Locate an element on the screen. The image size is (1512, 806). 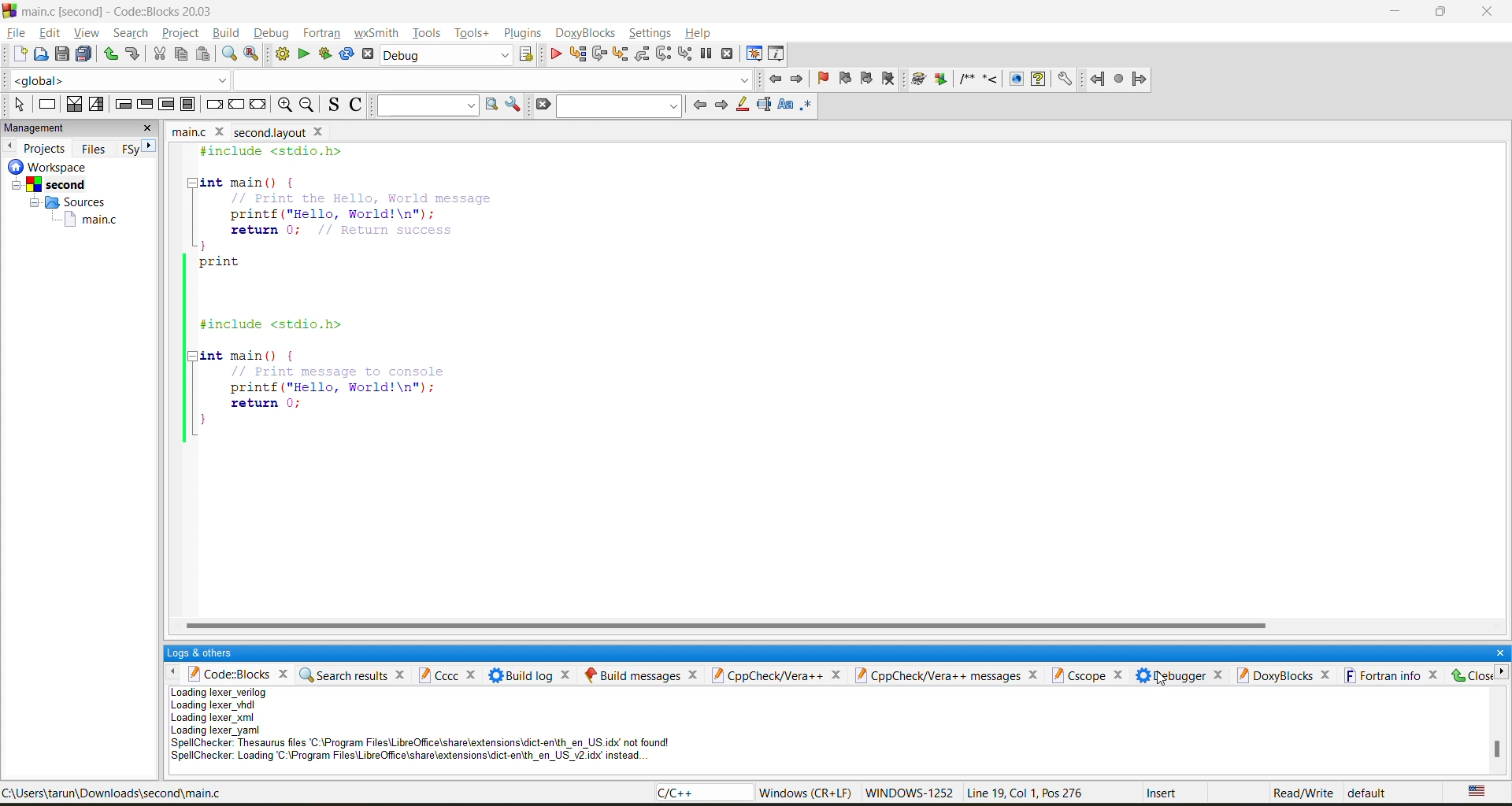
toggle bookmark is located at coordinates (822, 78).